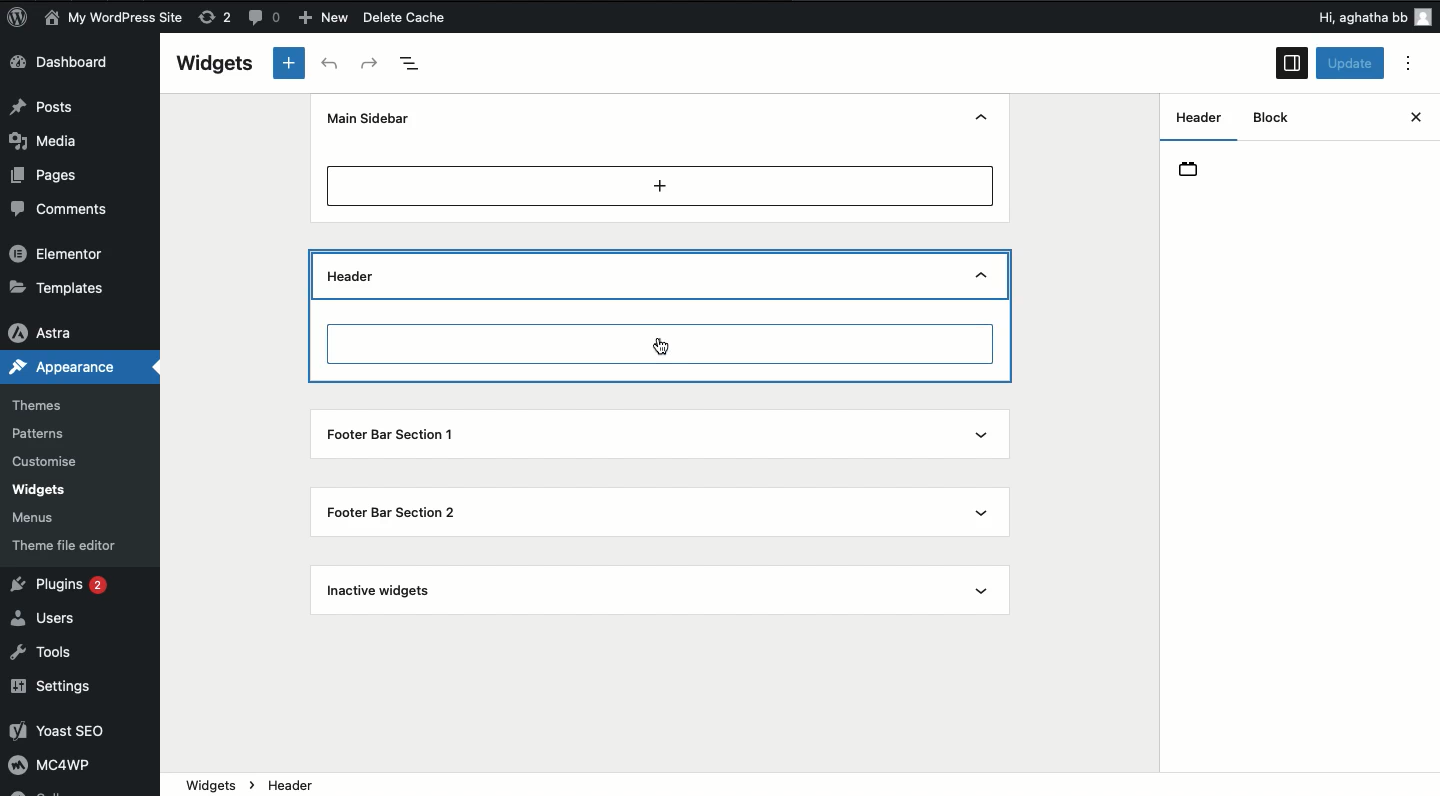 The width and height of the screenshot is (1440, 796). I want to click on Plugins 2, so click(68, 587).